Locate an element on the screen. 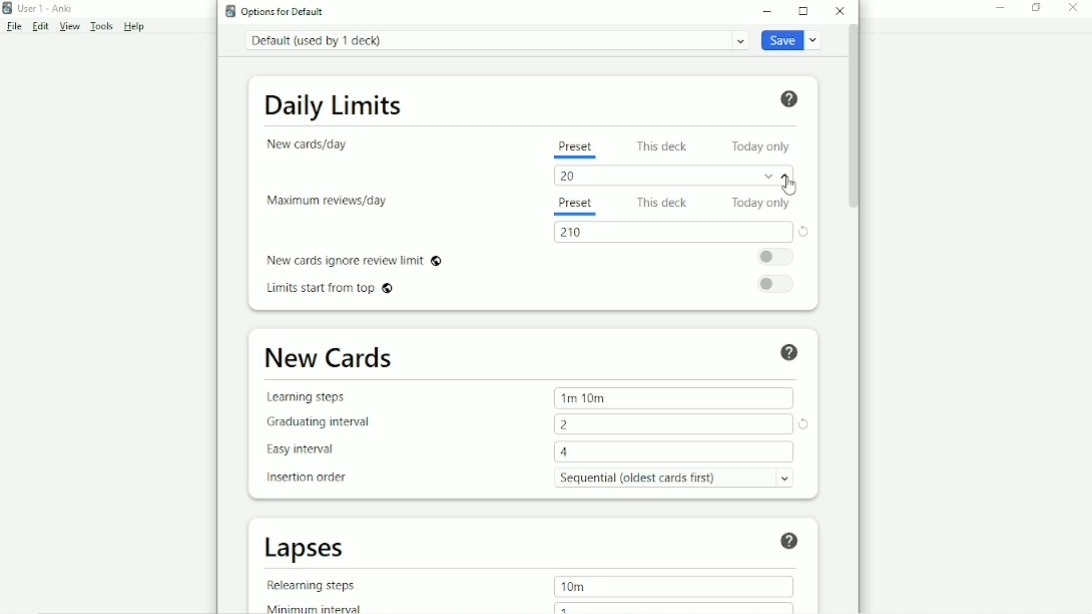 This screenshot has width=1092, height=614. 1m 10m is located at coordinates (584, 397).